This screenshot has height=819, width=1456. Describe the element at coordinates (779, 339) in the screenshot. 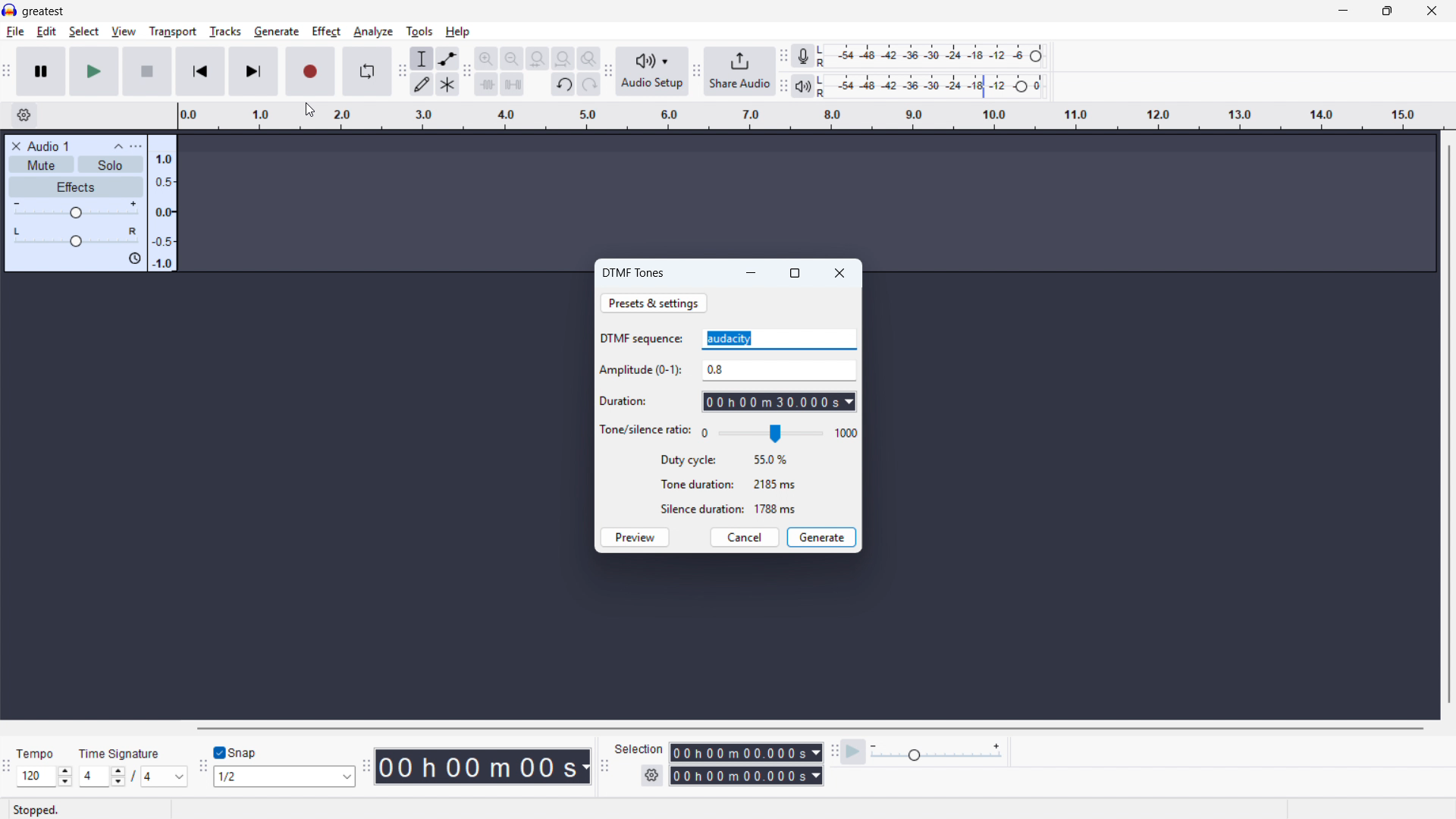

I see `enter D T M F sequence ` at that location.